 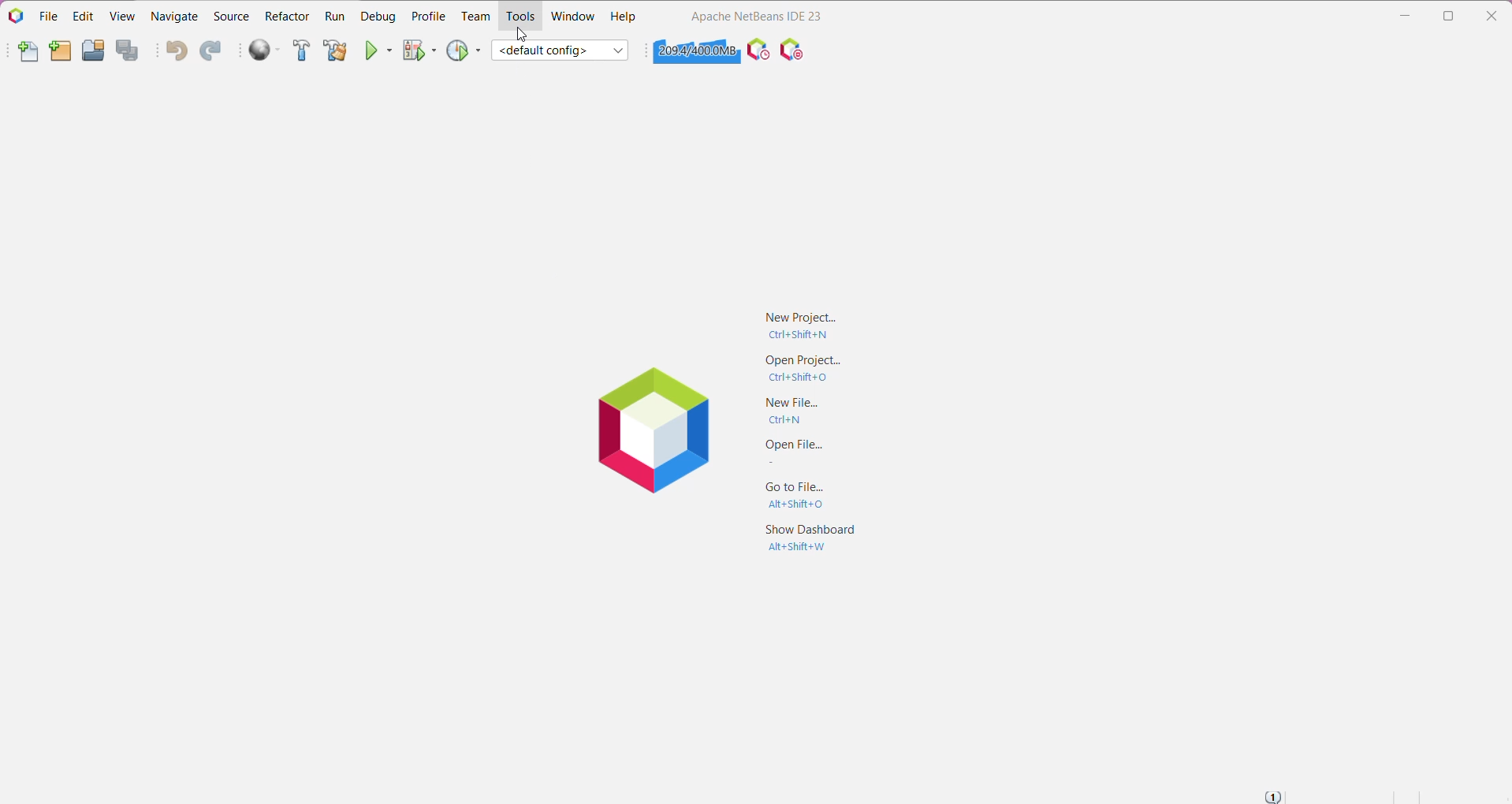 What do you see at coordinates (81, 16) in the screenshot?
I see `Edit` at bounding box center [81, 16].